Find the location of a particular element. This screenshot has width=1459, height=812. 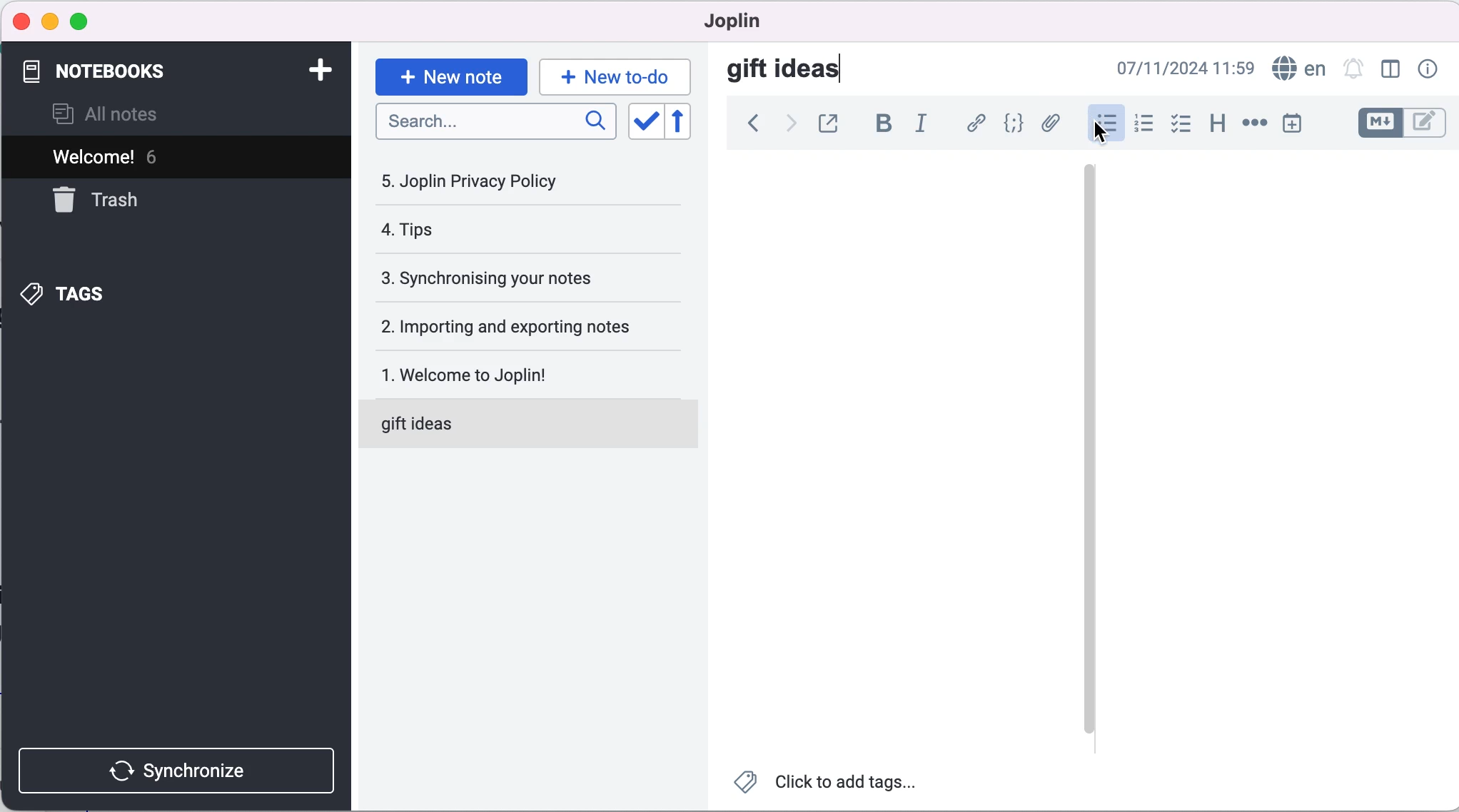

gift ideas is located at coordinates (787, 71).